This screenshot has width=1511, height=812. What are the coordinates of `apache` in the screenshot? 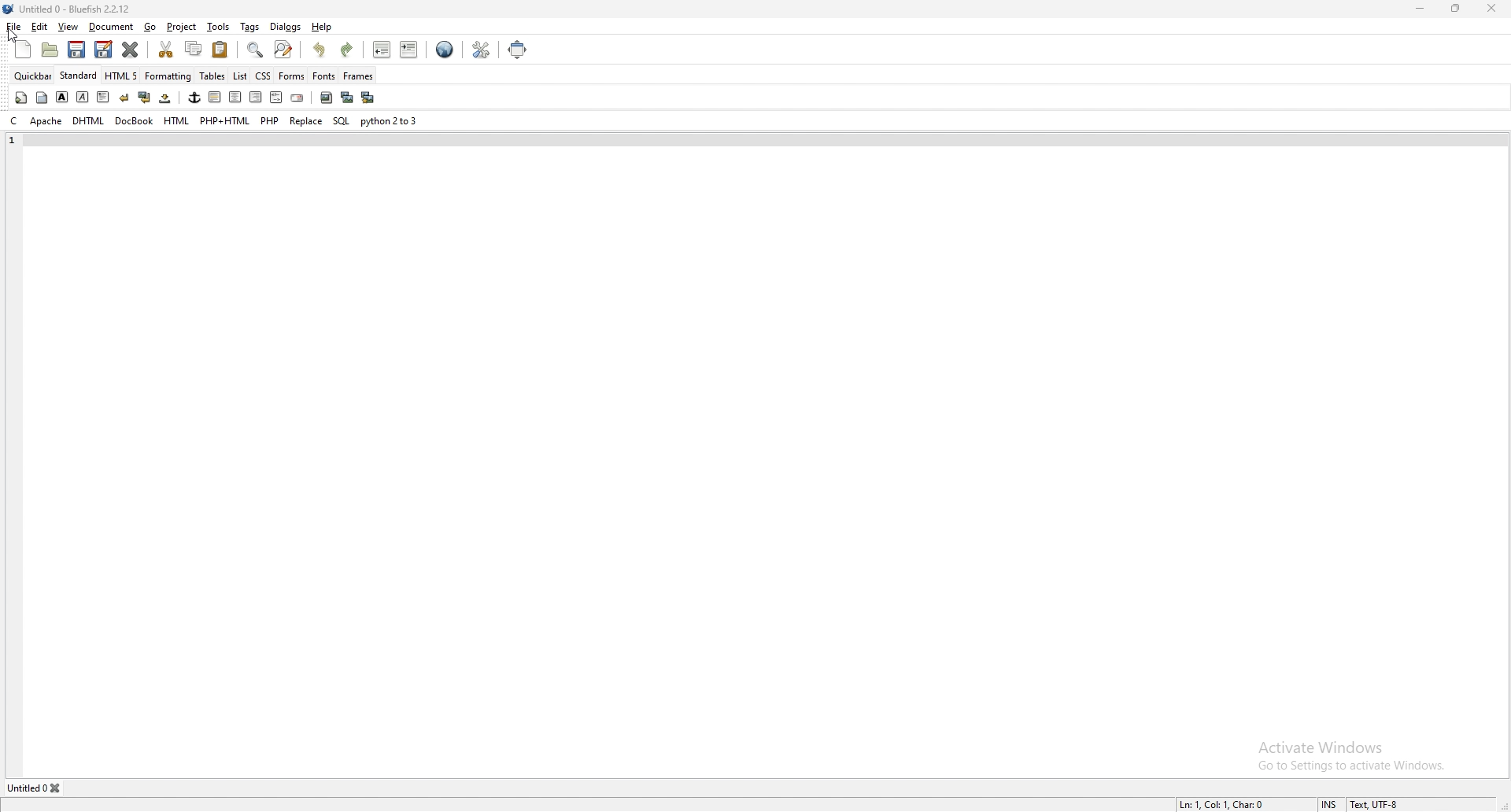 It's located at (47, 121).